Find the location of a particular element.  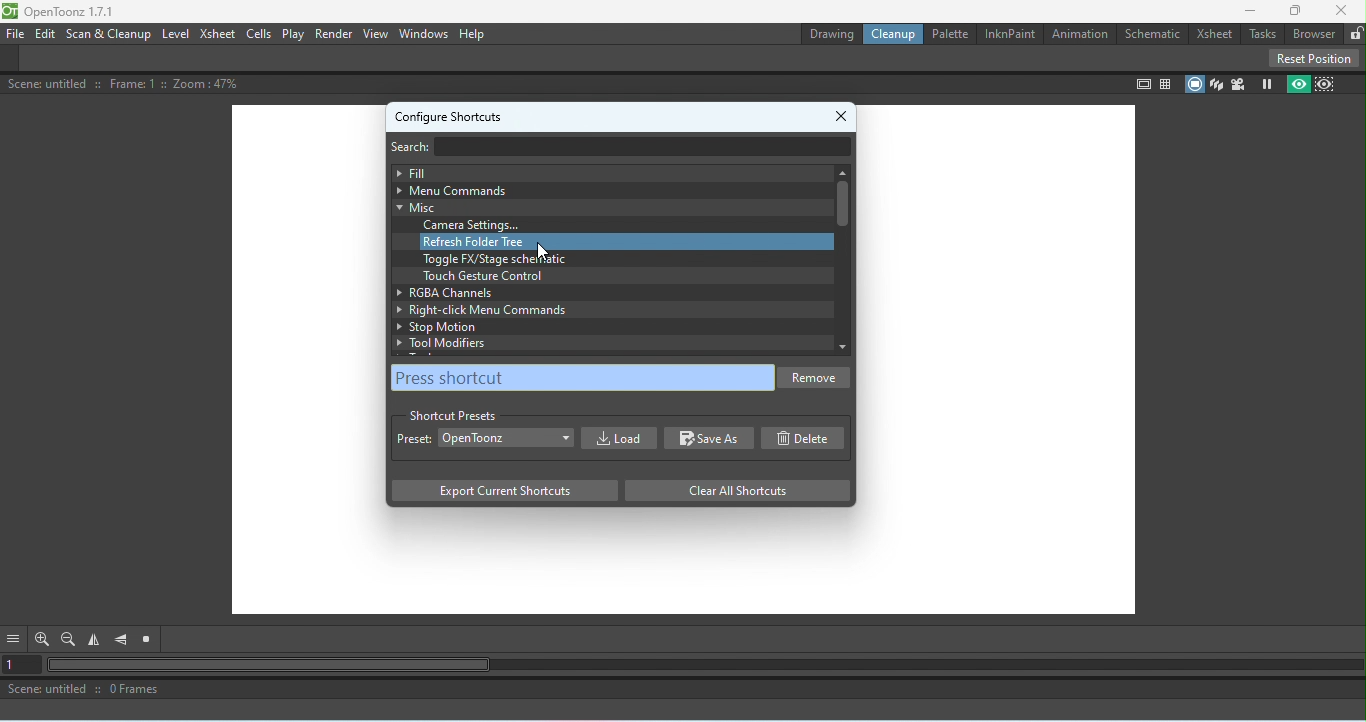

Tasks is located at coordinates (1262, 33).